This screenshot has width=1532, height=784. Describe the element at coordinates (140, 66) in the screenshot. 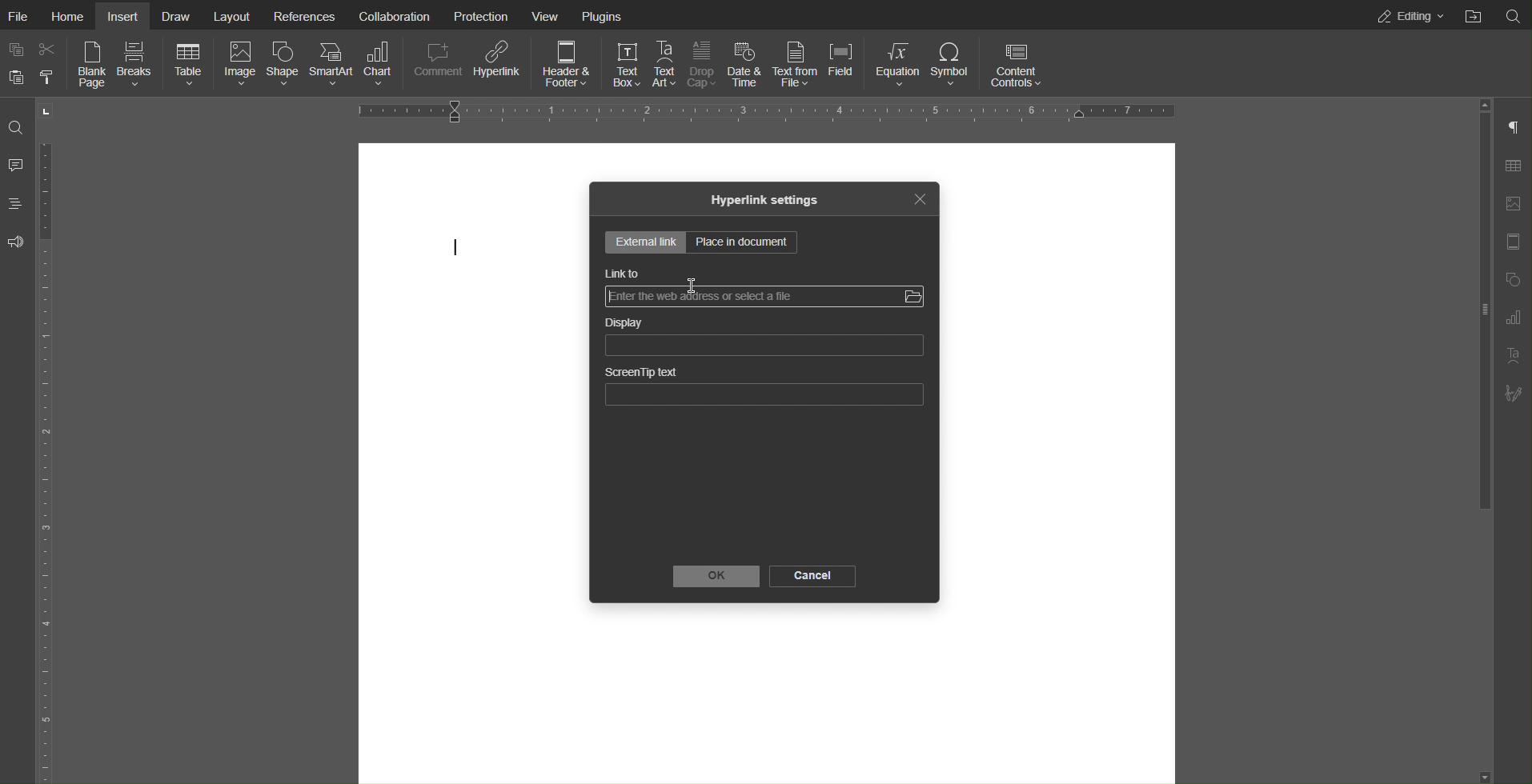

I see `Breaks` at that location.